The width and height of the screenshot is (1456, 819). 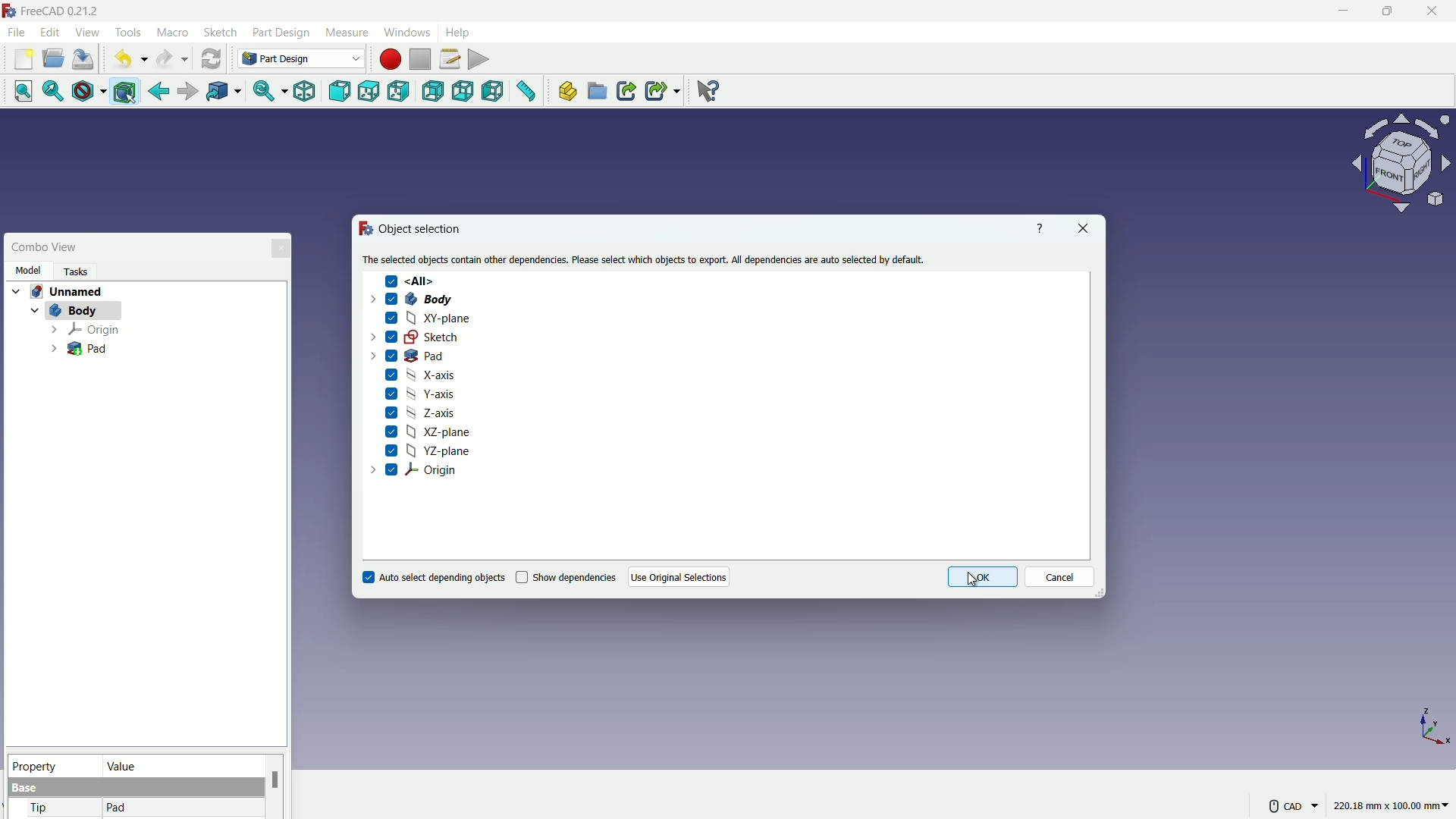 I want to click on cursor, so click(x=971, y=582).